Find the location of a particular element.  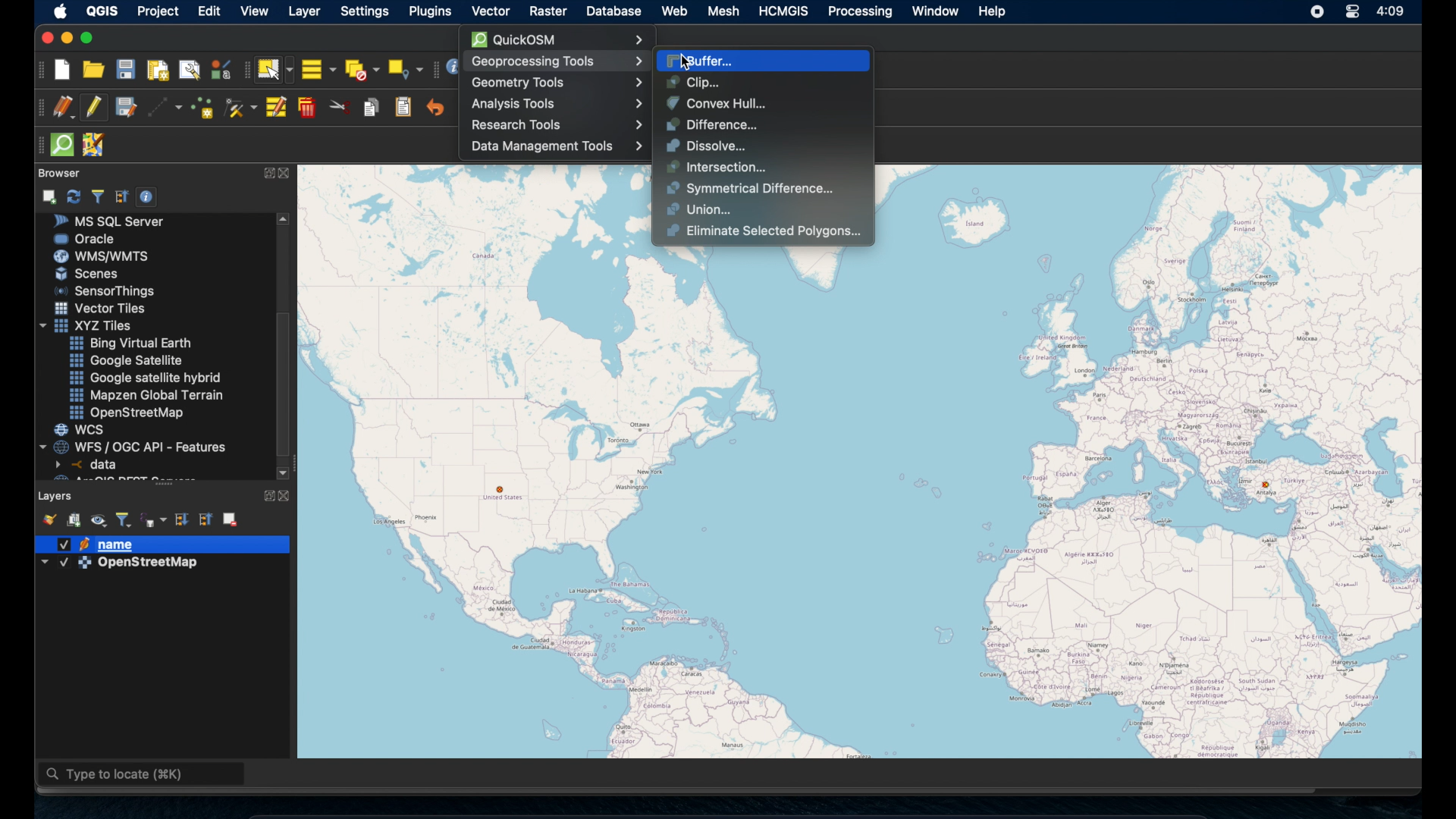

scroll box is located at coordinates (287, 384).